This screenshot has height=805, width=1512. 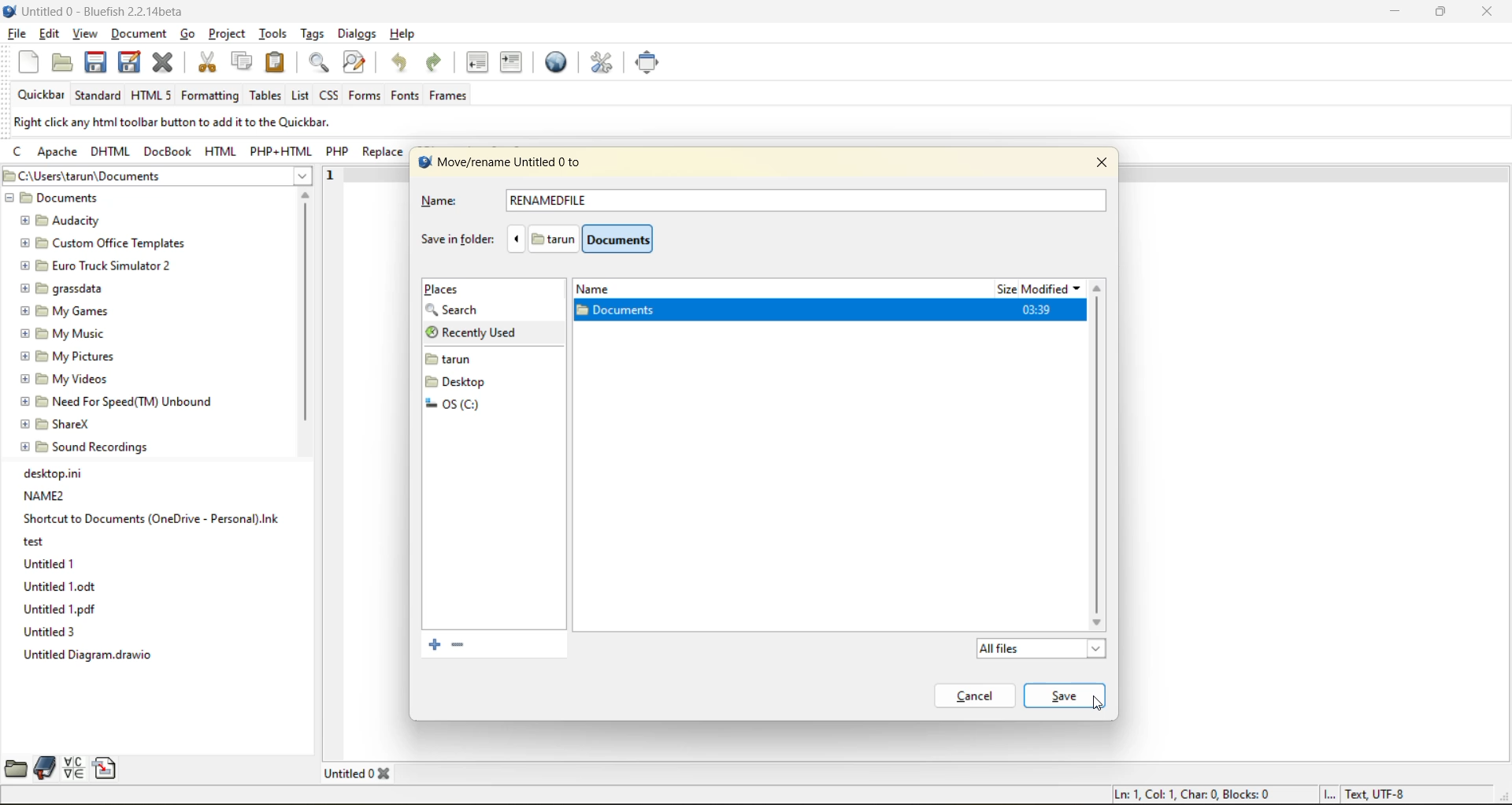 I want to click on selected folder , so click(x=725, y=313).